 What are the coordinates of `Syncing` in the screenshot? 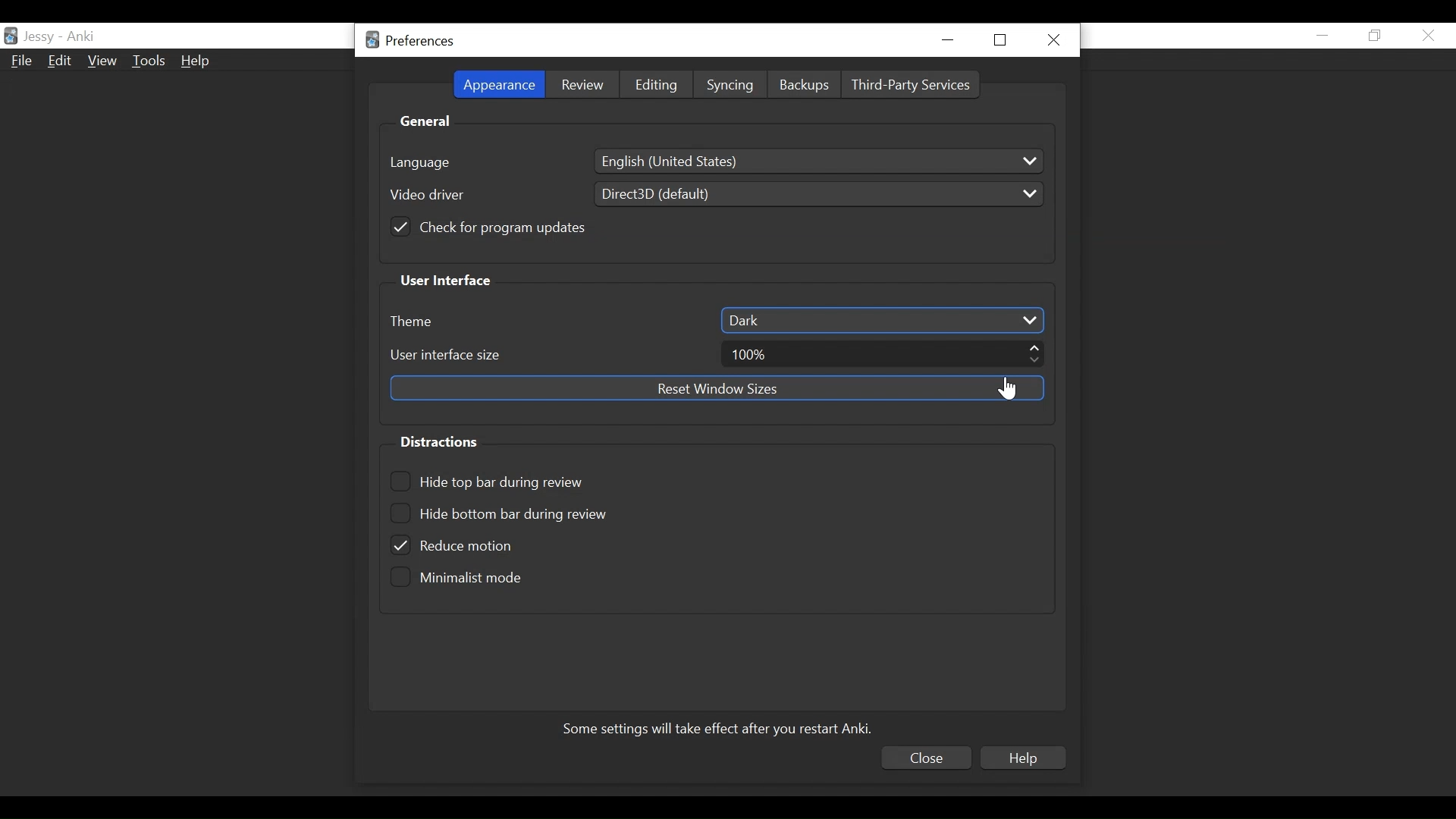 It's located at (730, 87).